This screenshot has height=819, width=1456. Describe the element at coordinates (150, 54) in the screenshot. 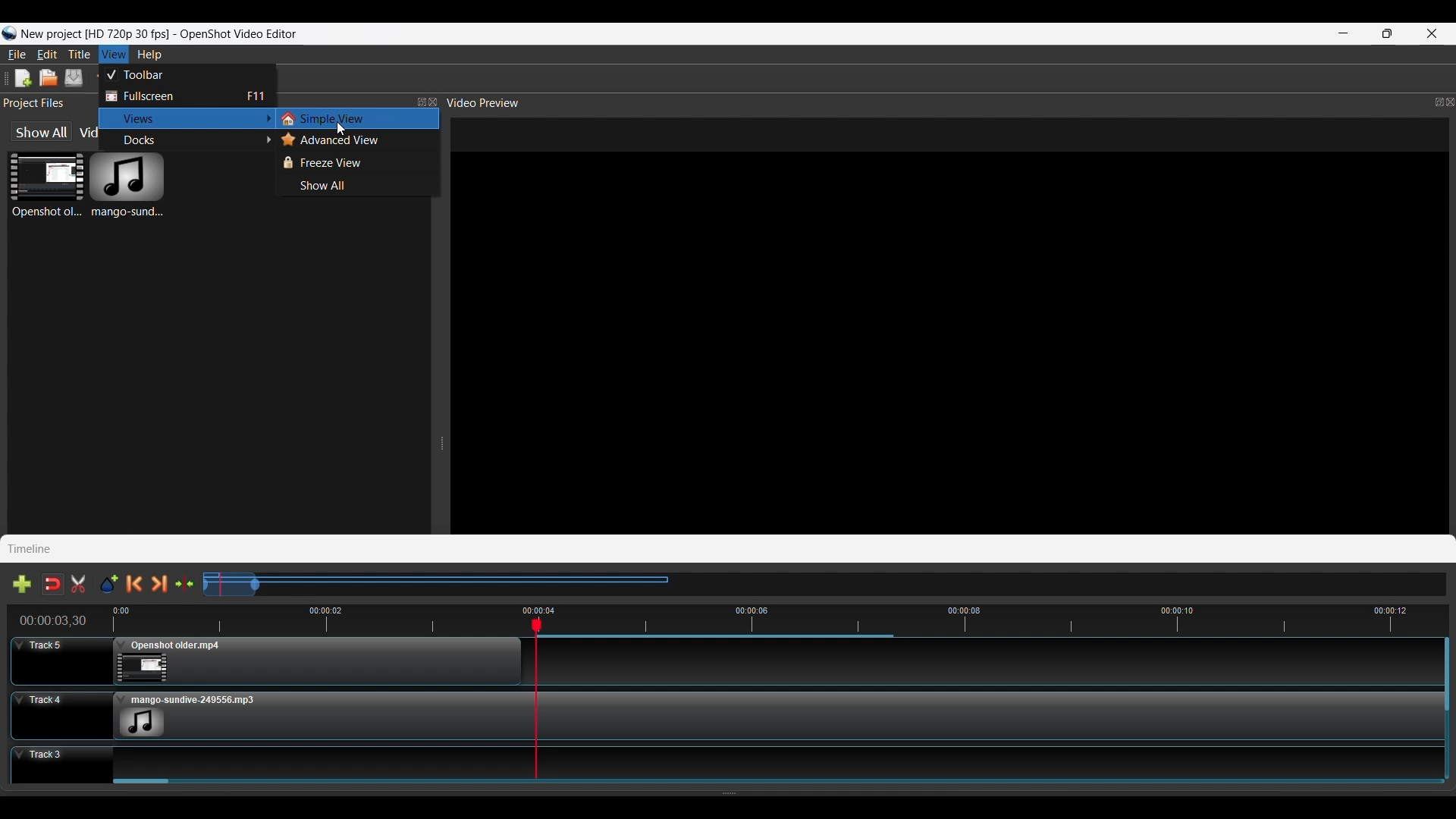

I see `Help` at that location.